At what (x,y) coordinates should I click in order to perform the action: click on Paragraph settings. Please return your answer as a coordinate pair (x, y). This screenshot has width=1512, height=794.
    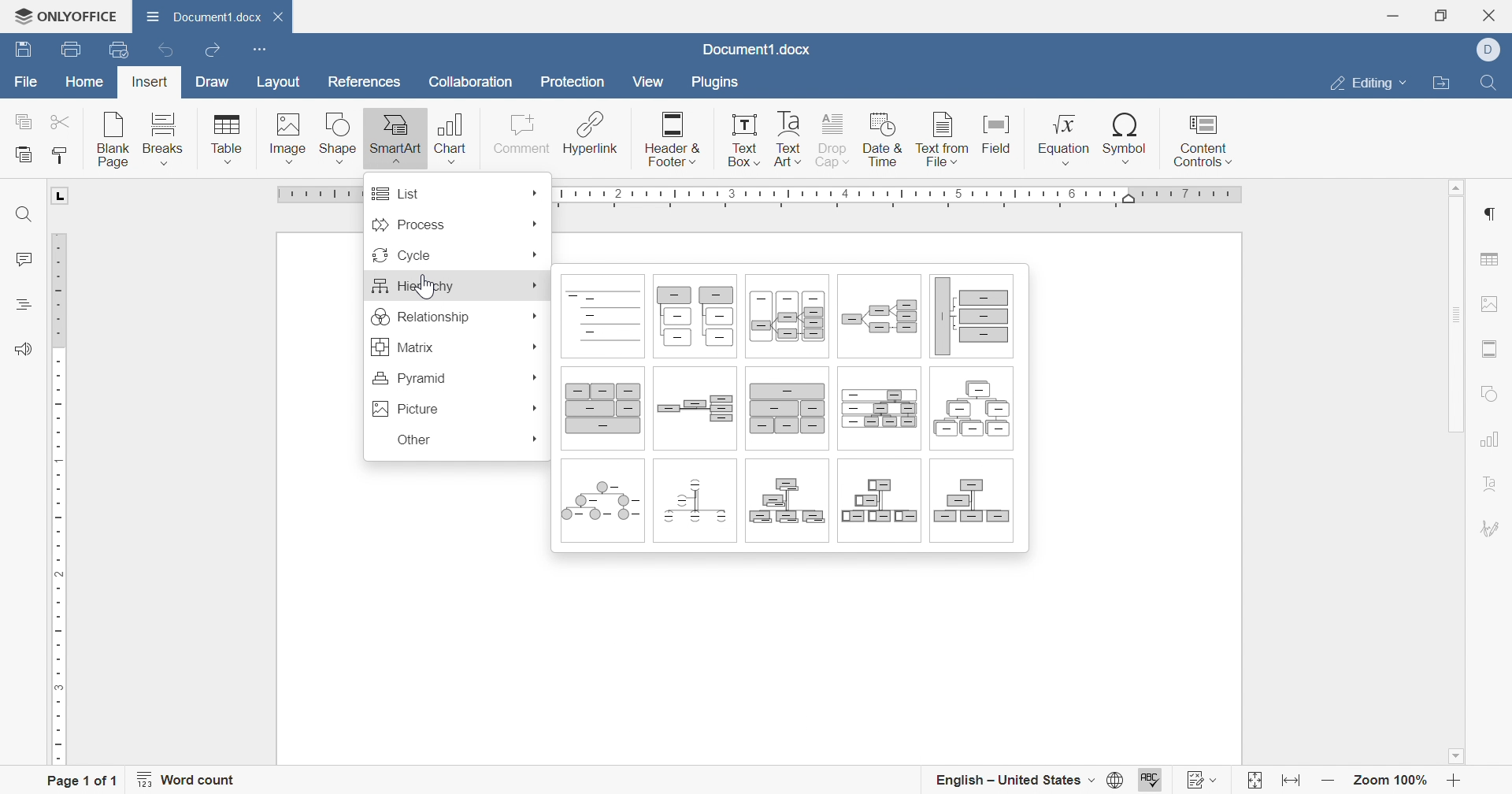
    Looking at the image, I should click on (1490, 214).